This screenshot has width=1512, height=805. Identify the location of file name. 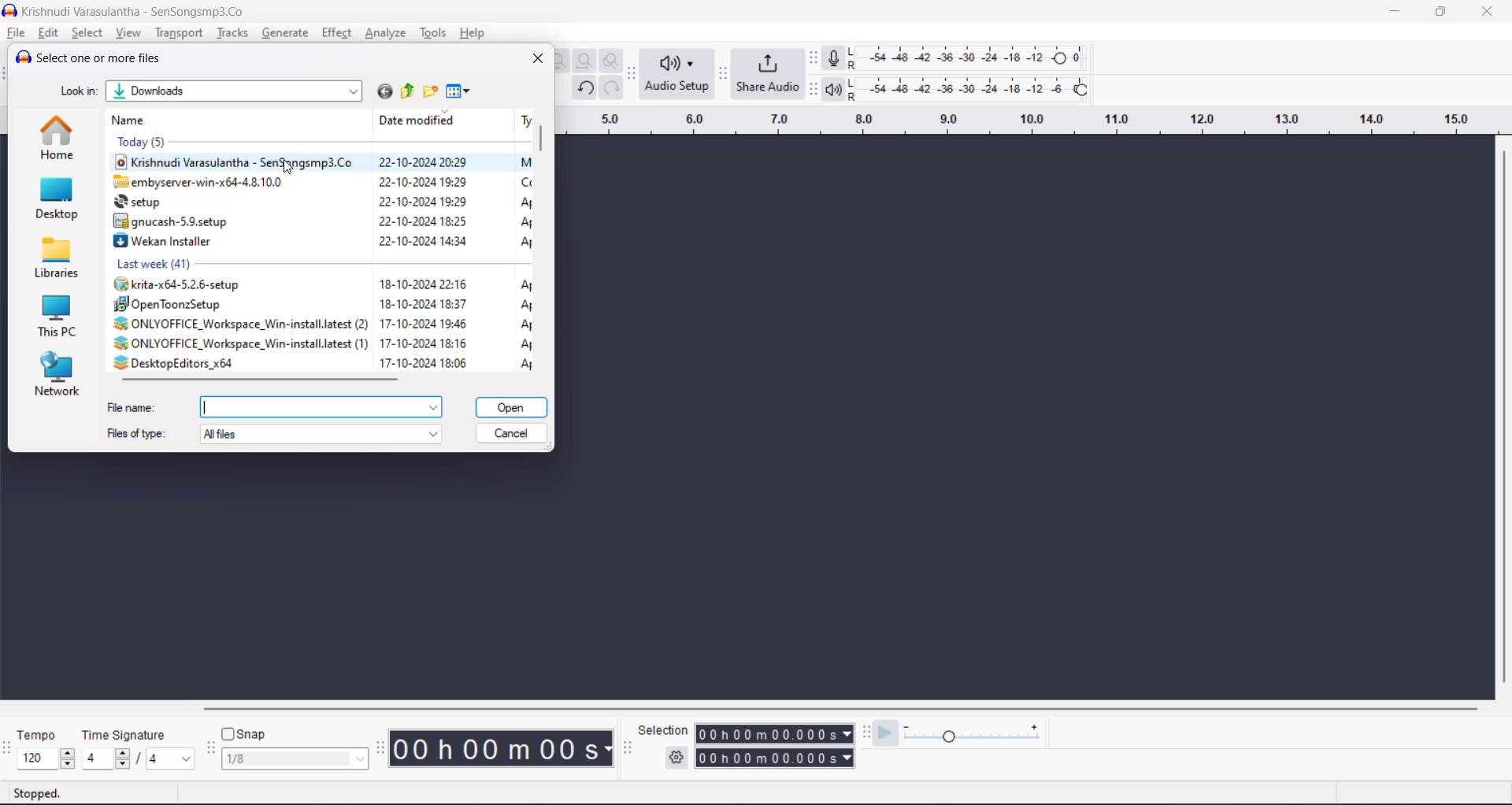
(277, 404).